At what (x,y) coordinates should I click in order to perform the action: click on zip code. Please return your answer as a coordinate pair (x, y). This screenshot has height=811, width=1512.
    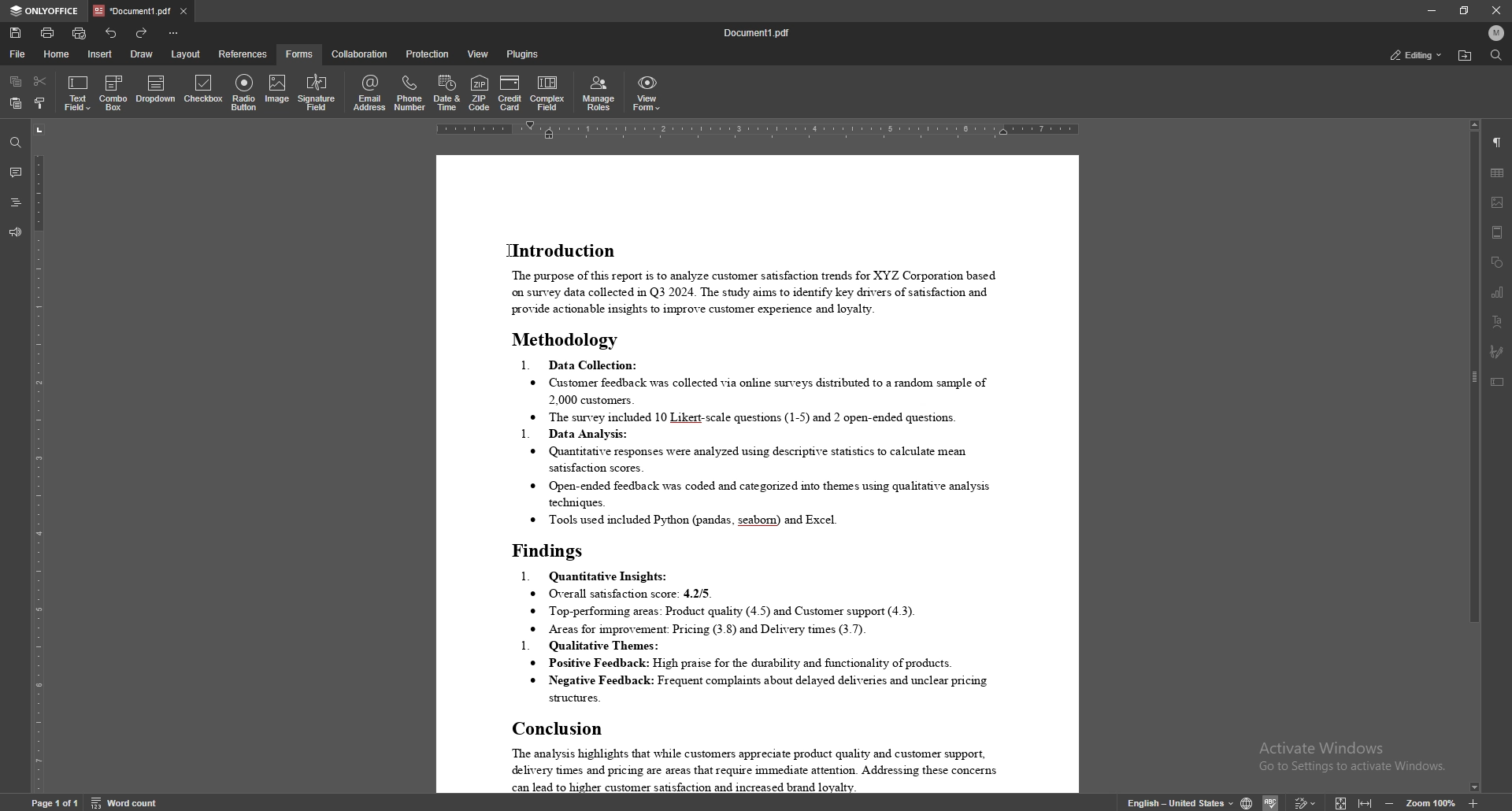
    Looking at the image, I should click on (480, 93).